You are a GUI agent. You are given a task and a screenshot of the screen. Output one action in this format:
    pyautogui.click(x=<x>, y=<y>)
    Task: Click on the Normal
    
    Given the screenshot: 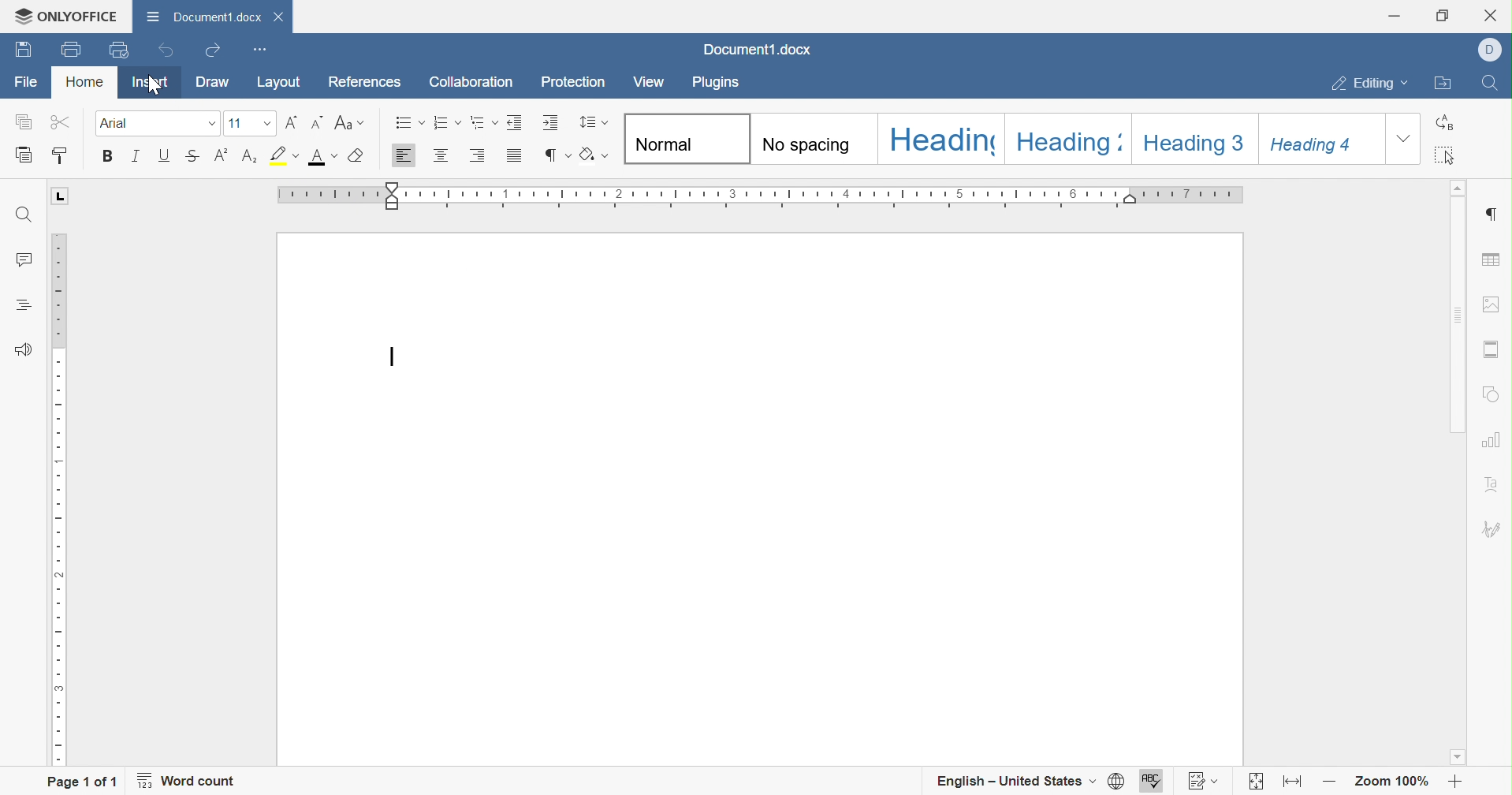 What is the action you would take?
    pyautogui.click(x=690, y=140)
    